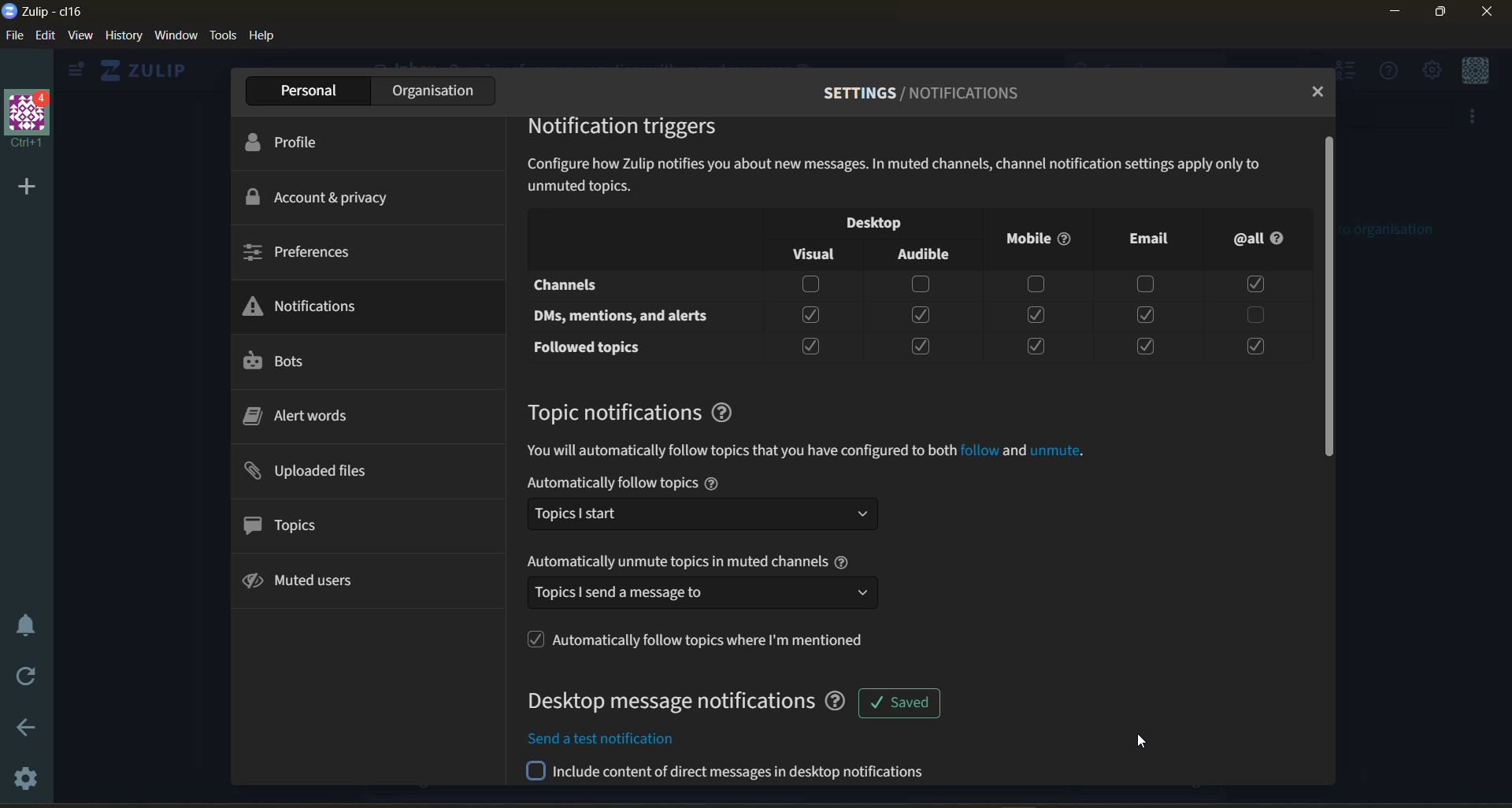 This screenshot has width=1512, height=808. I want to click on Maximize, so click(1444, 15).